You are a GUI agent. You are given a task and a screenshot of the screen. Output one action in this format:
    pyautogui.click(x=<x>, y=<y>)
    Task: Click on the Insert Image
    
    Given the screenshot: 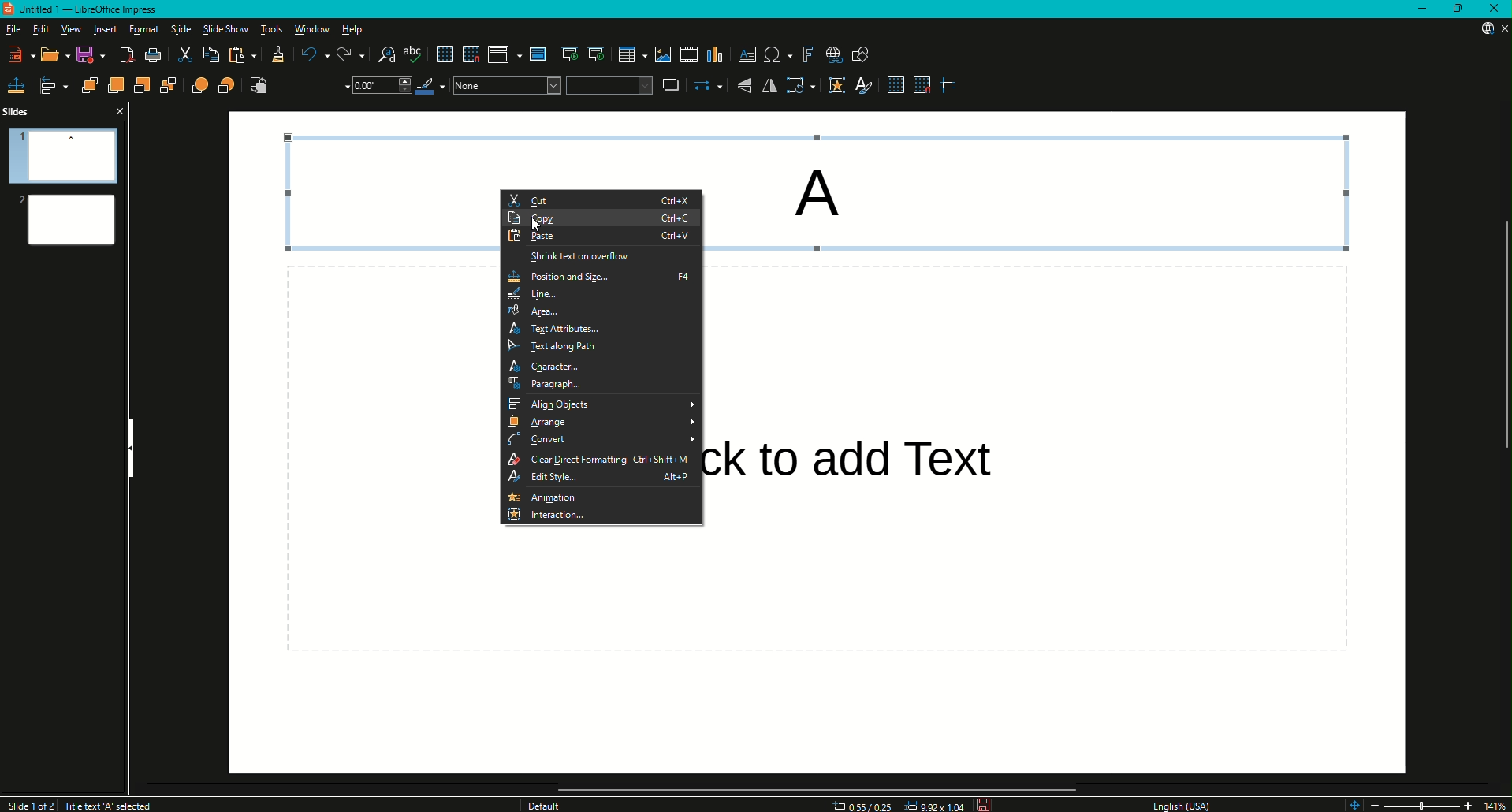 What is the action you would take?
    pyautogui.click(x=660, y=53)
    